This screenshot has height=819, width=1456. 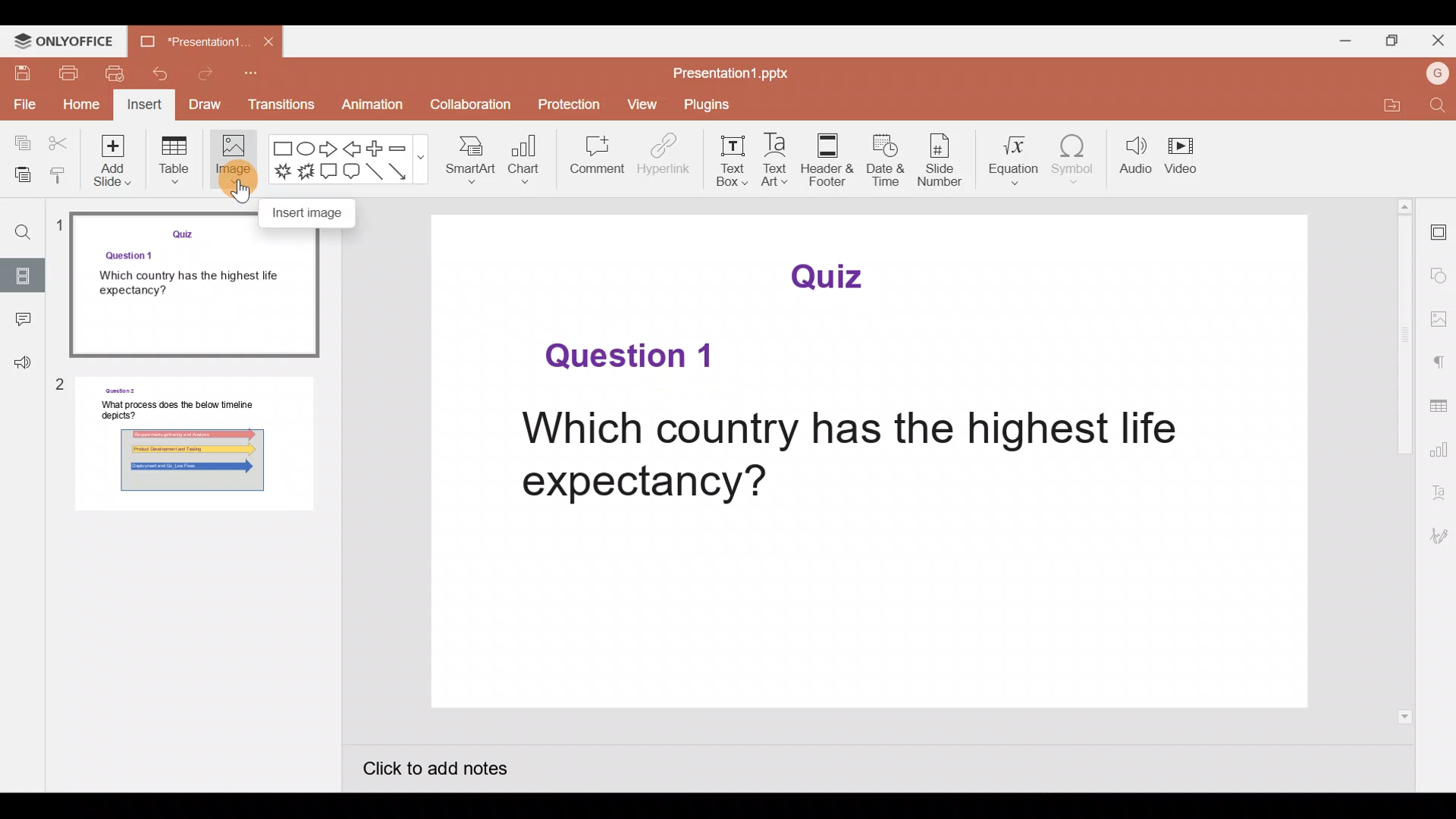 What do you see at coordinates (659, 158) in the screenshot?
I see `Hyperlink` at bounding box center [659, 158].